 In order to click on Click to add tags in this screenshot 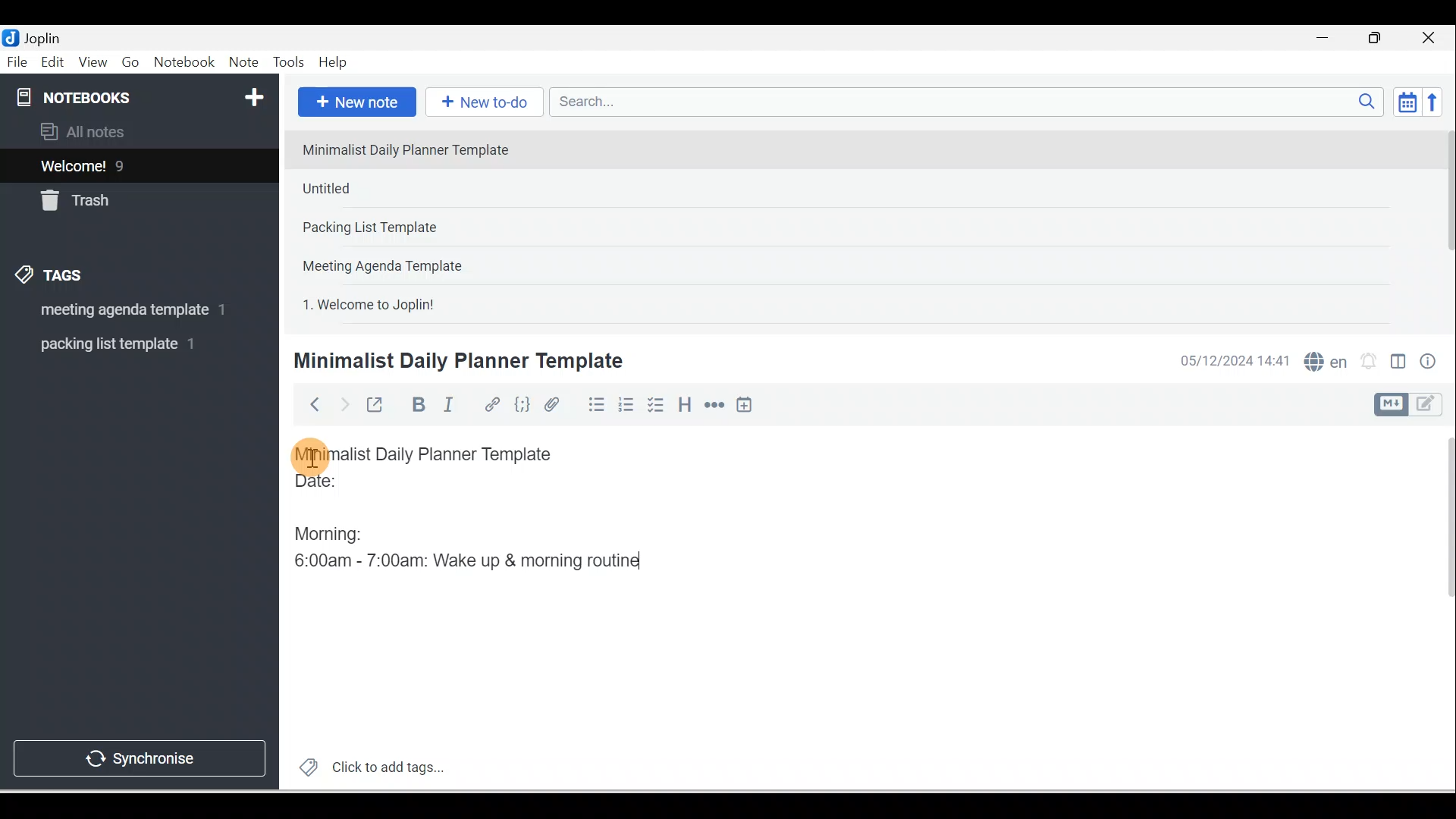, I will do `click(366, 765)`.